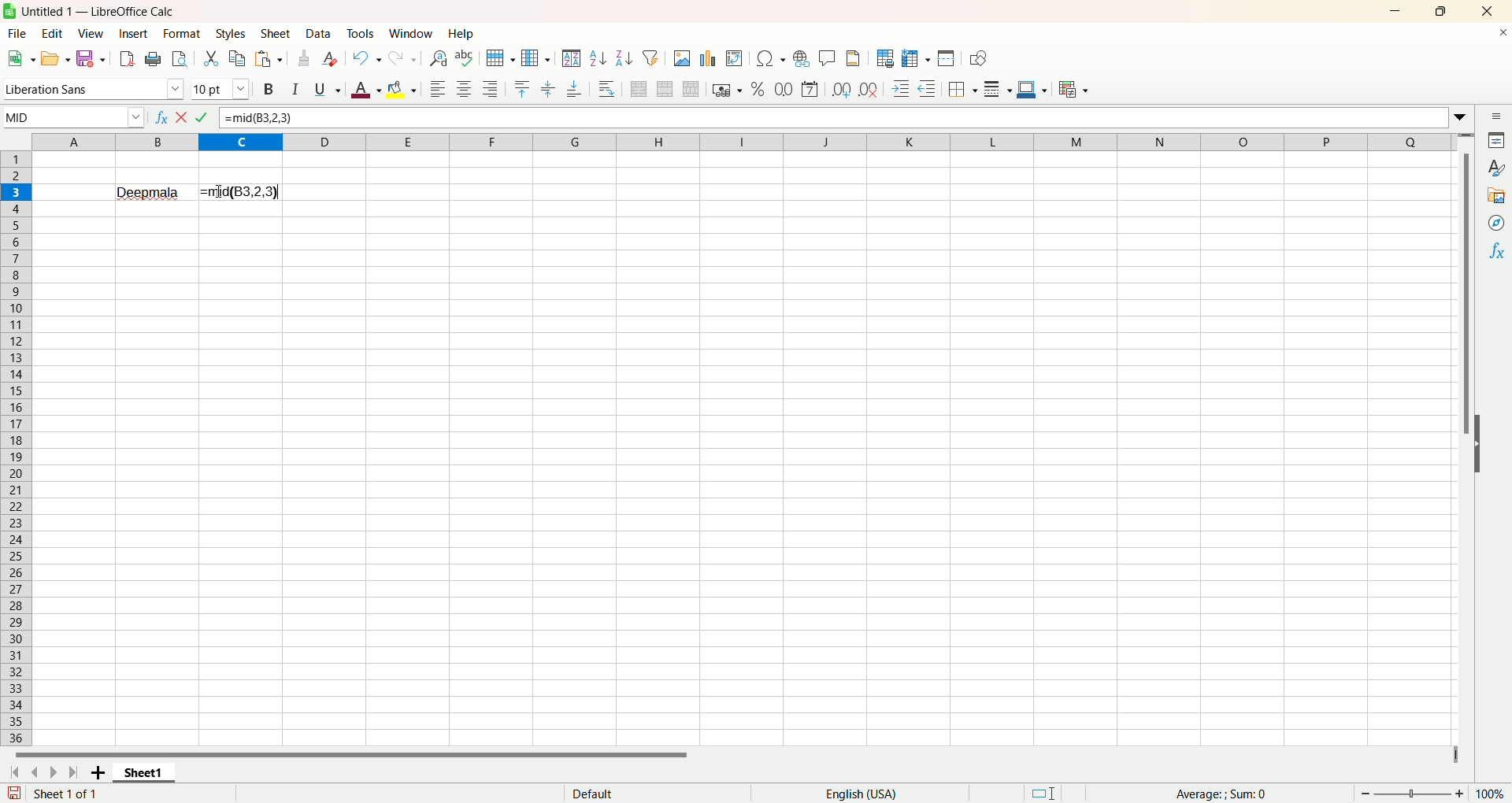  Describe the element at coordinates (51, 773) in the screenshot. I see `goto next sheet` at that location.